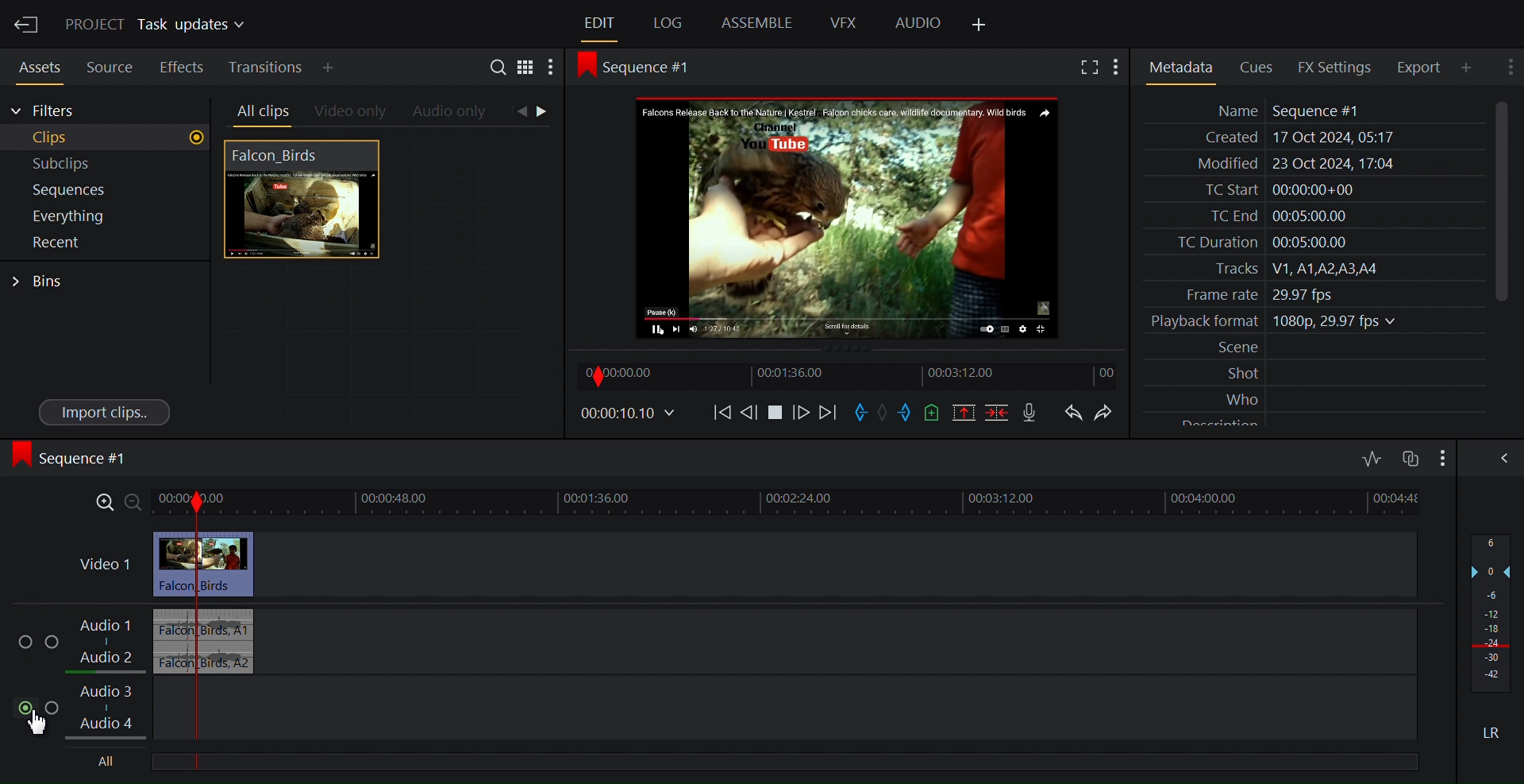 Image resolution: width=1524 pixels, height=784 pixels. I want to click on Vertical Scroll bar, so click(1502, 200).